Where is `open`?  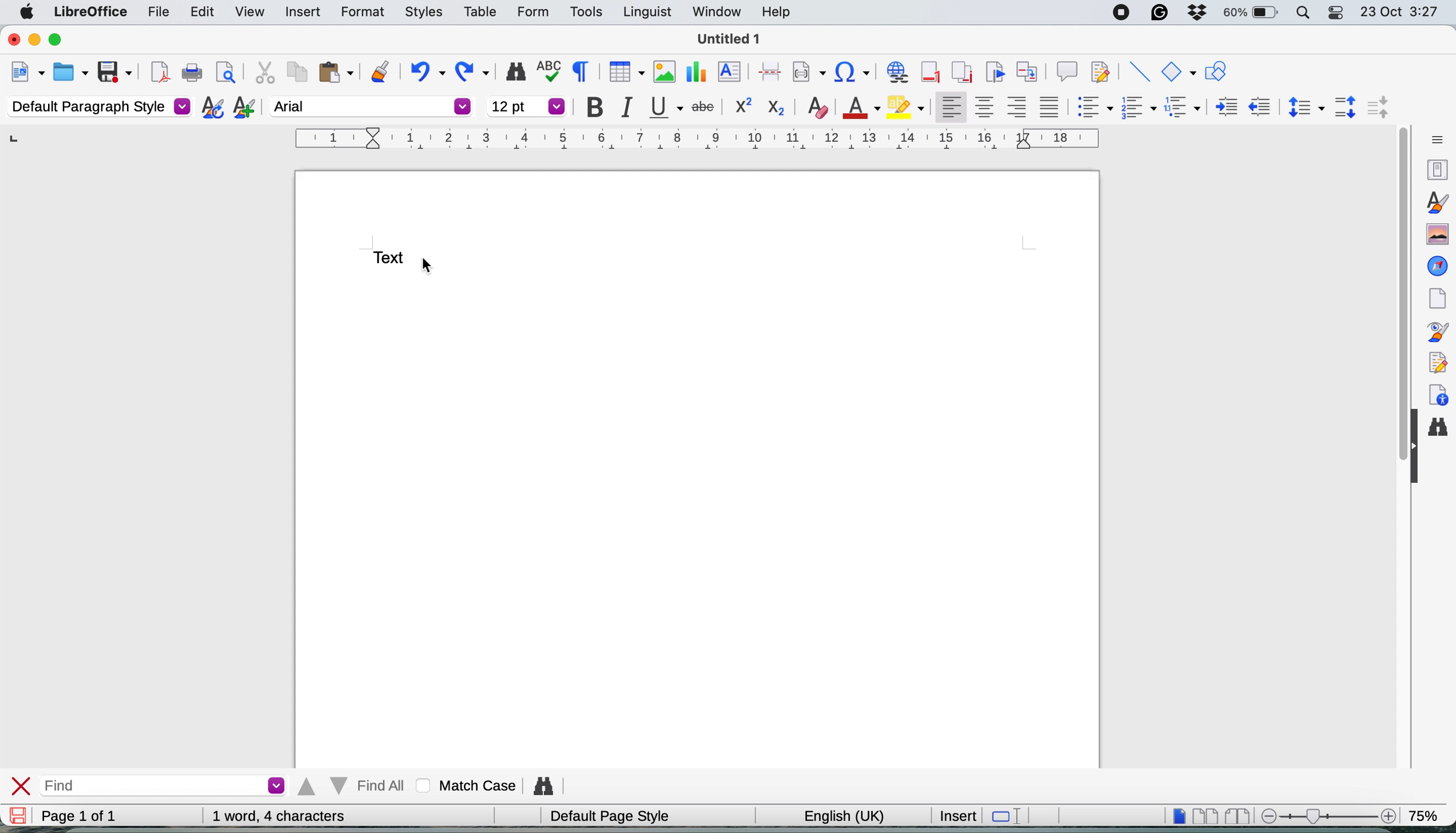
open is located at coordinates (71, 72).